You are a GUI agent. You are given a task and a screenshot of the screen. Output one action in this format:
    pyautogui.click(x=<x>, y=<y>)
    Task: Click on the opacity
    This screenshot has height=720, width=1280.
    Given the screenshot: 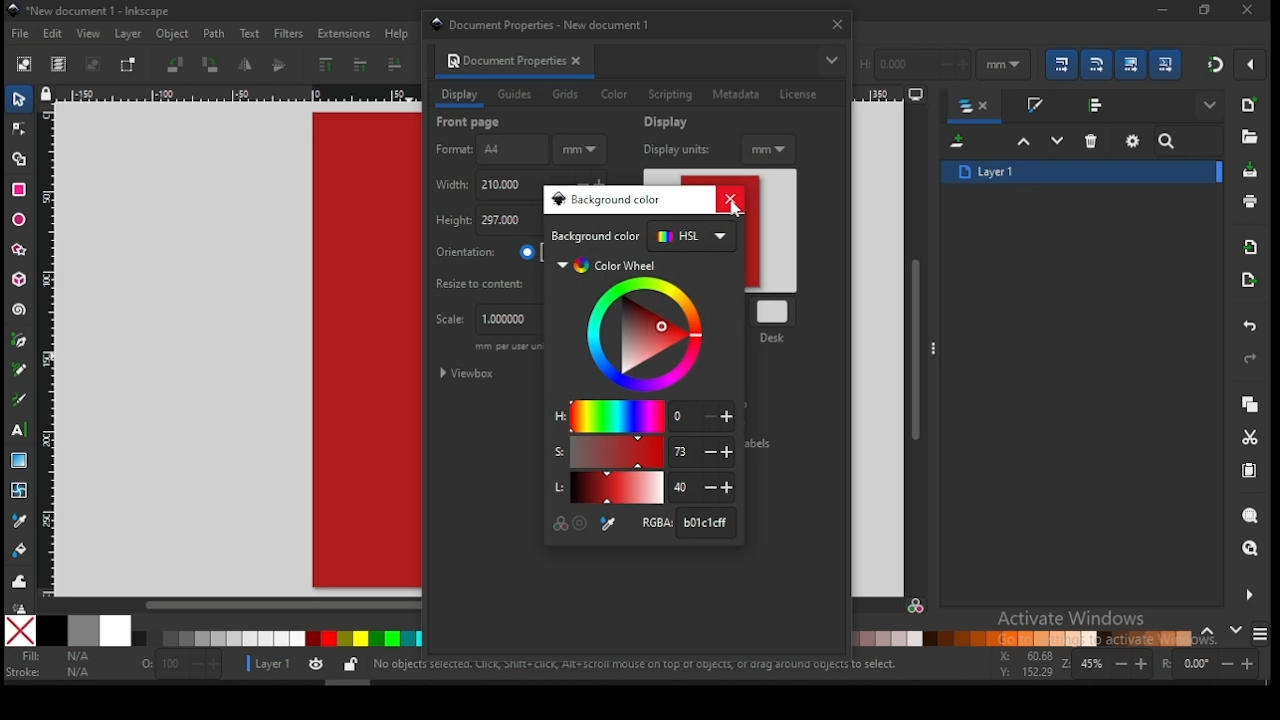 What is the action you would take?
    pyautogui.click(x=179, y=667)
    